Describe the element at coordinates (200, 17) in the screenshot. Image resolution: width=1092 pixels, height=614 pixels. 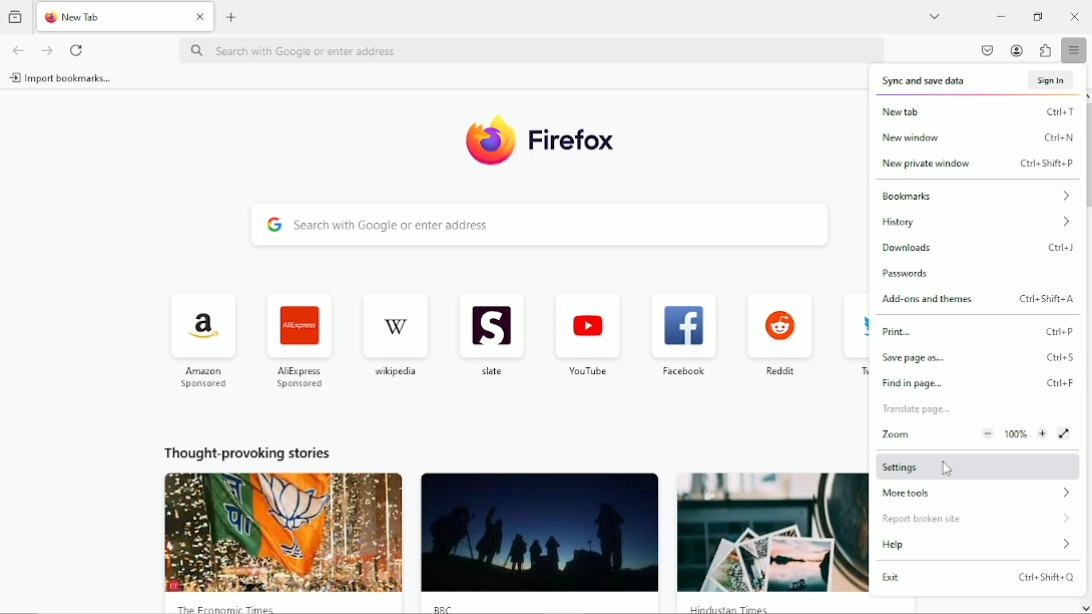
I see `close` at that location.